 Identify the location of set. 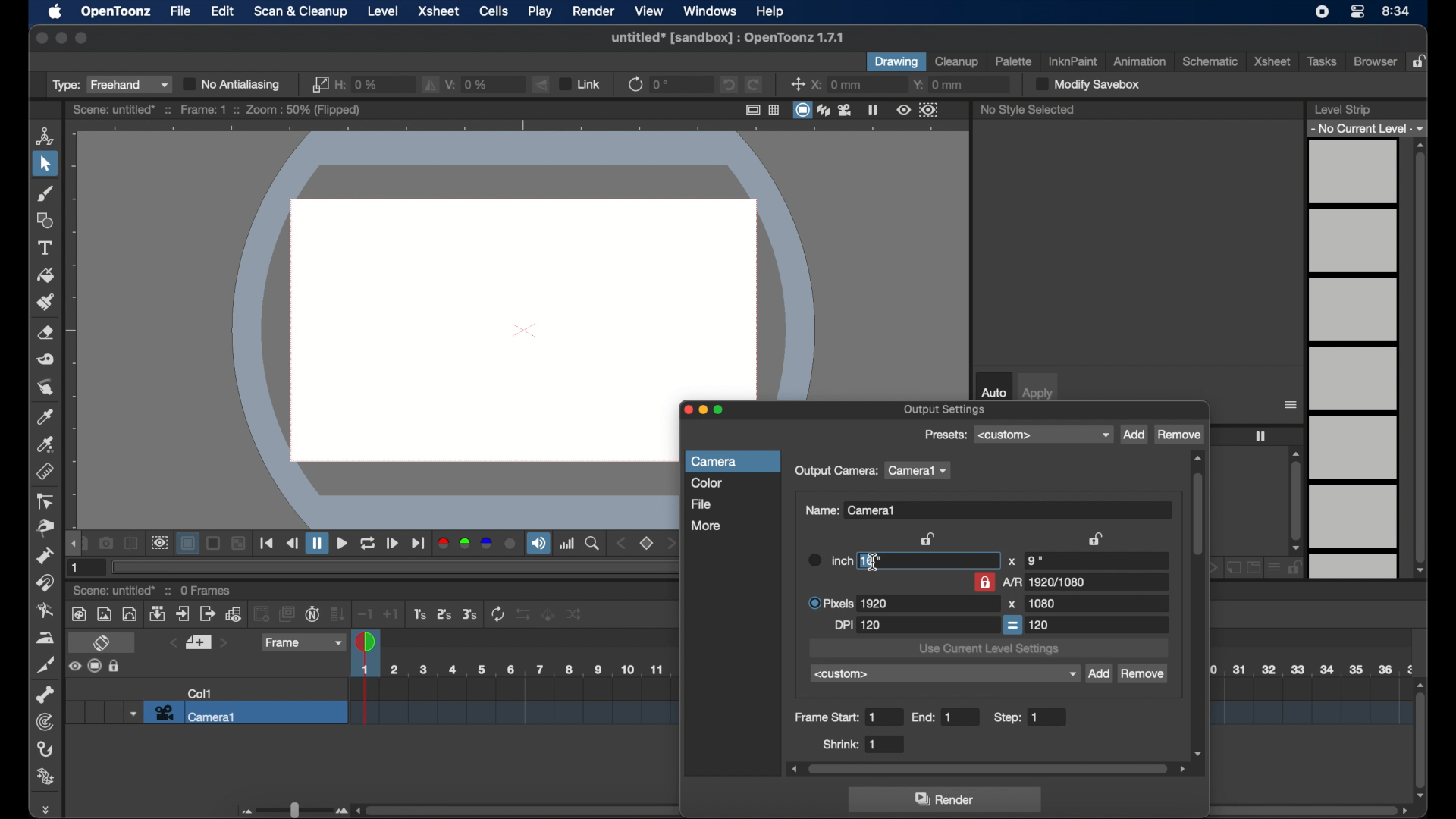
(197, 643).